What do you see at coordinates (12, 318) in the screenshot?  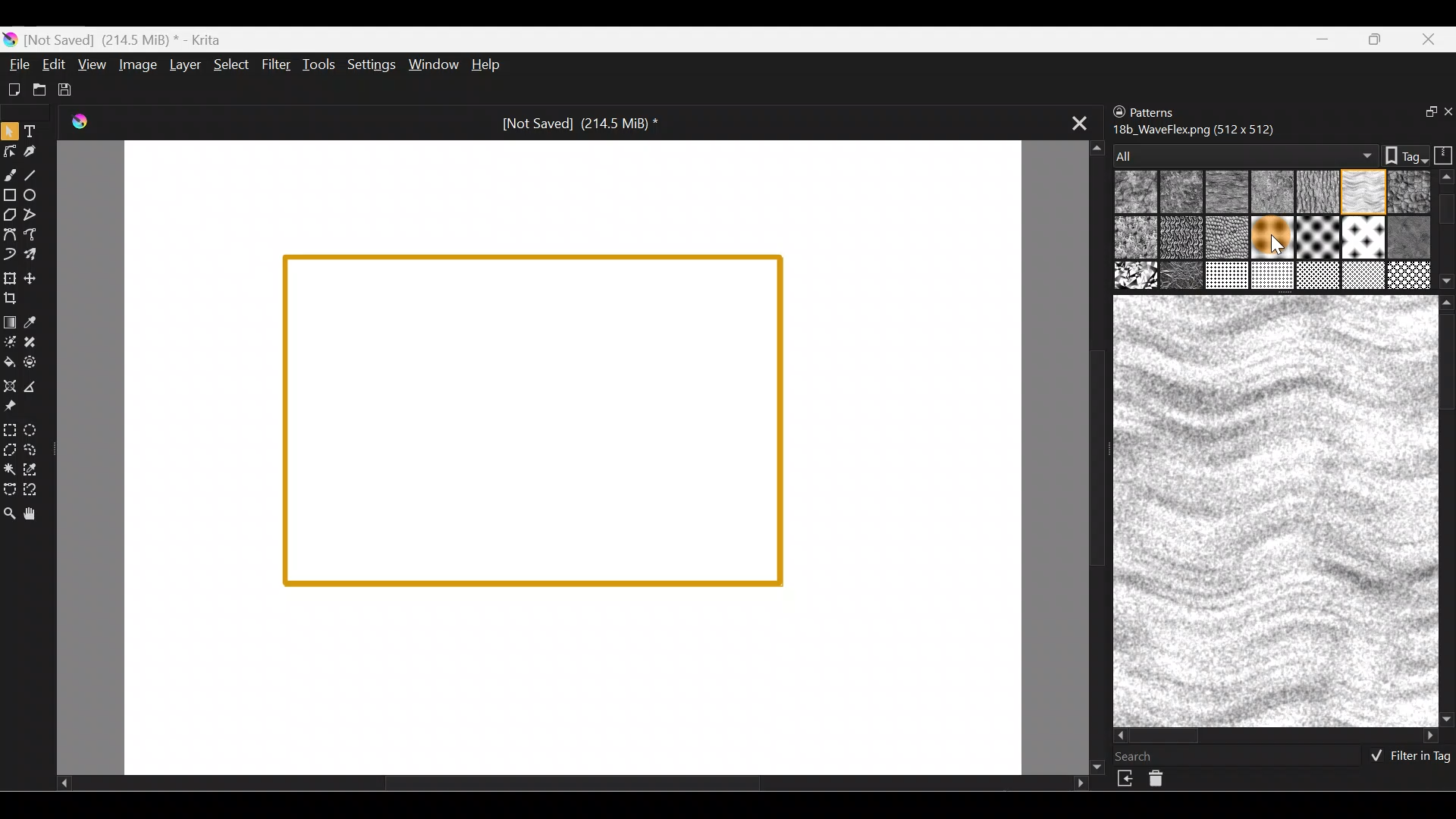 I see `Draw a gradient` at bounding box center [12, 318].